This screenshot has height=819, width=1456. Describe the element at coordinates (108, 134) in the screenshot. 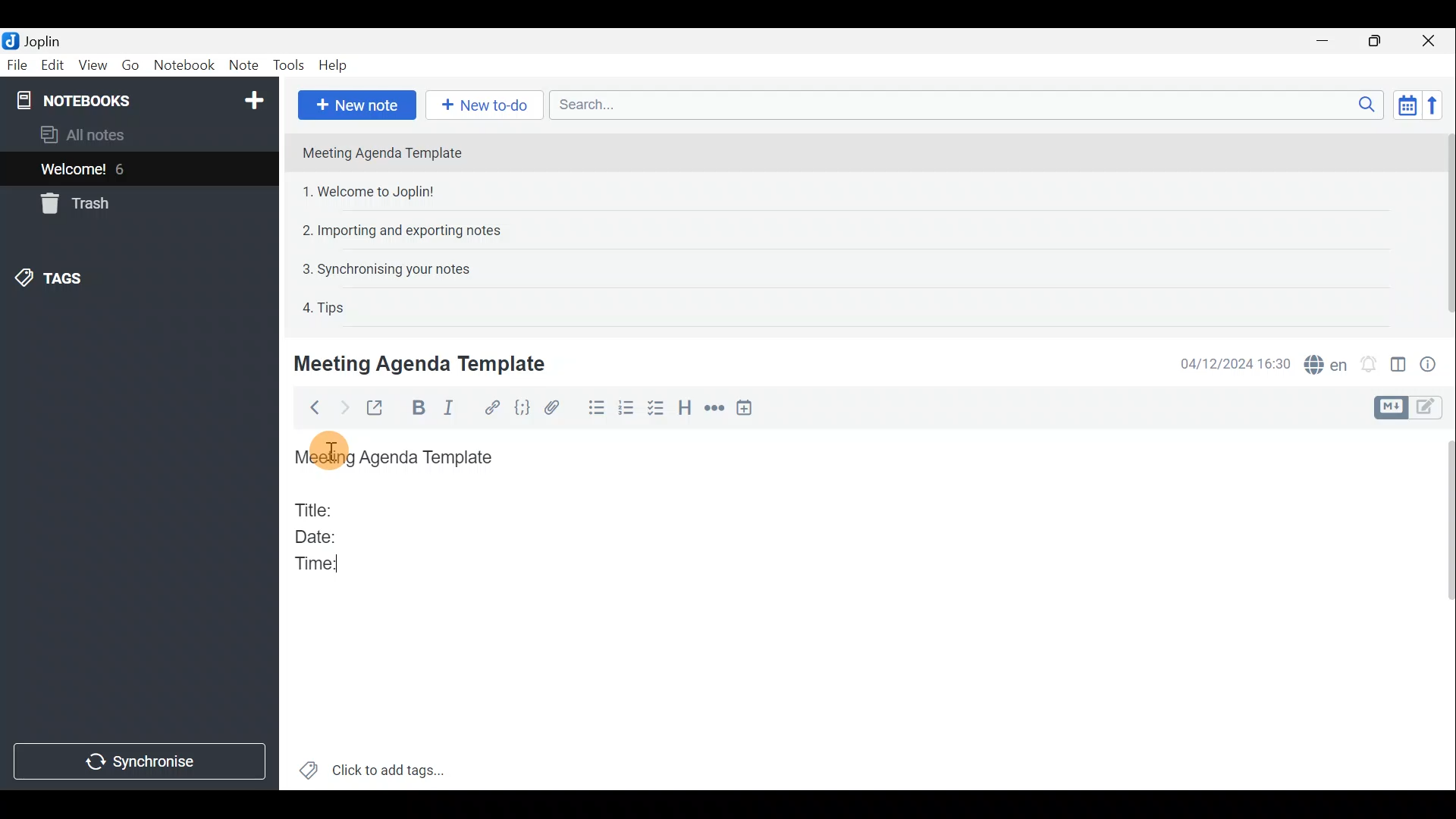

I see `All notes` at that location.